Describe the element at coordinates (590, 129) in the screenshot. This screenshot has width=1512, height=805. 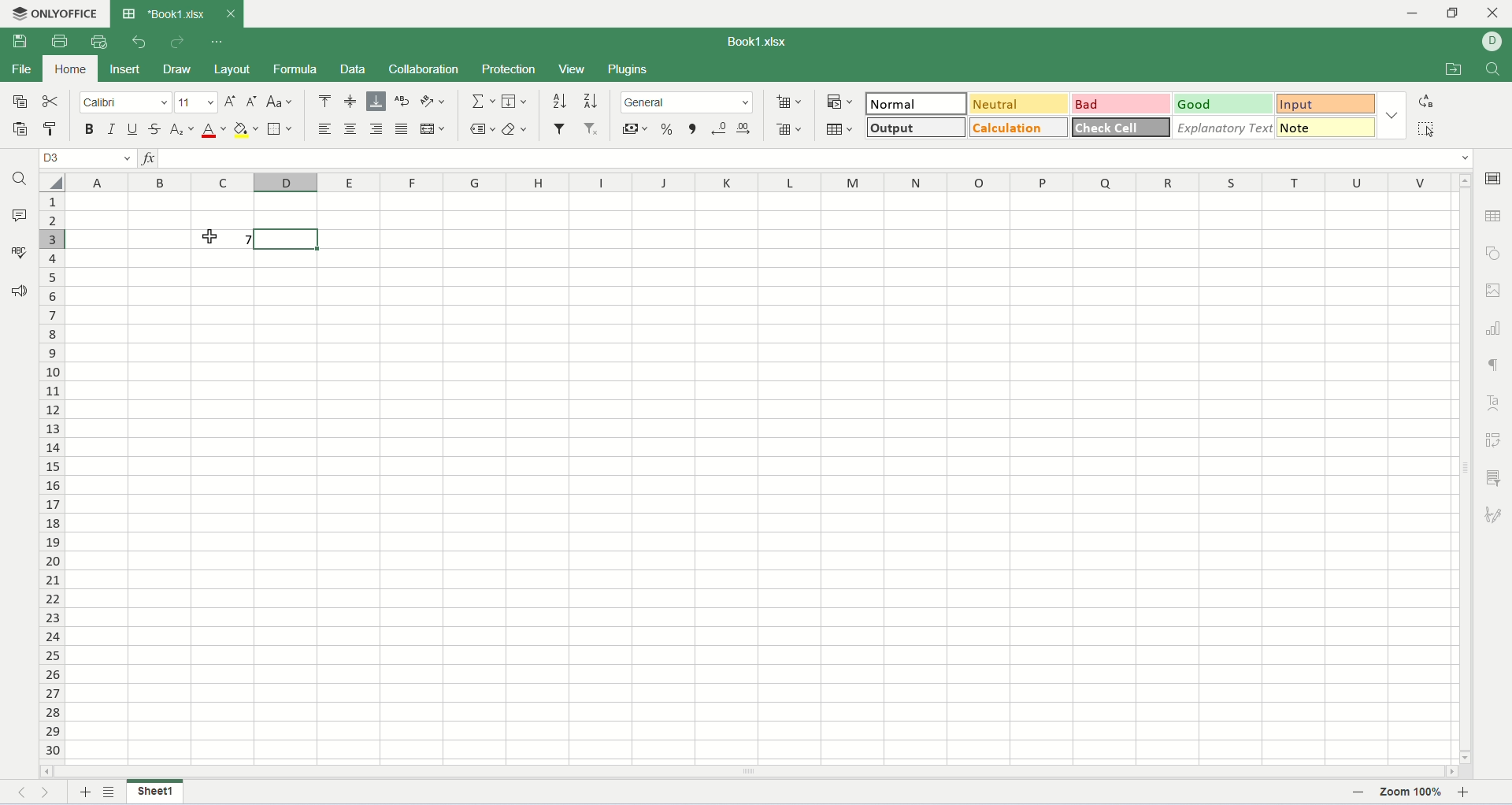
I see `remove filter` at that location.